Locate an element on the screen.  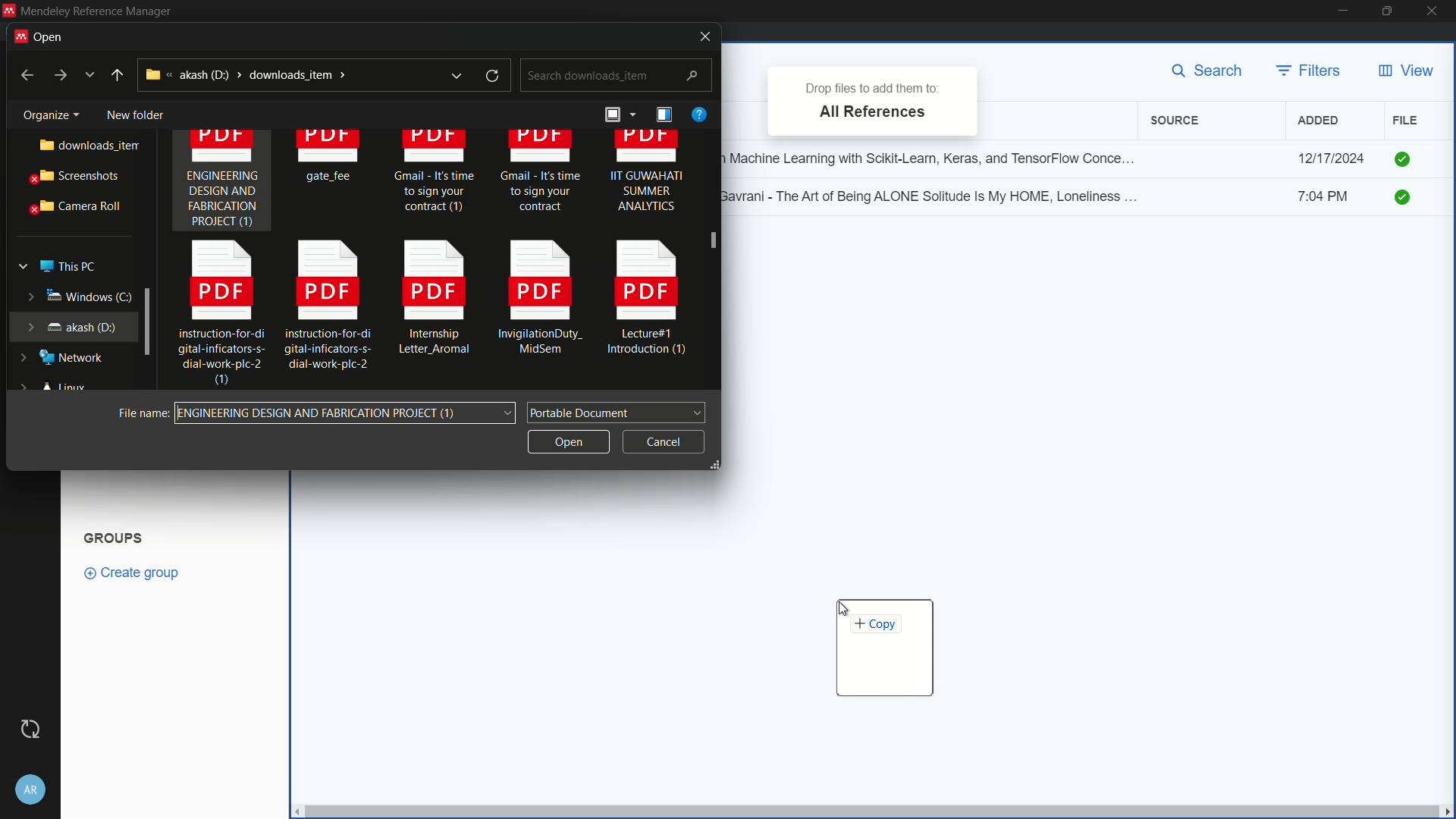
cancel is located at coordinates (664, 439).